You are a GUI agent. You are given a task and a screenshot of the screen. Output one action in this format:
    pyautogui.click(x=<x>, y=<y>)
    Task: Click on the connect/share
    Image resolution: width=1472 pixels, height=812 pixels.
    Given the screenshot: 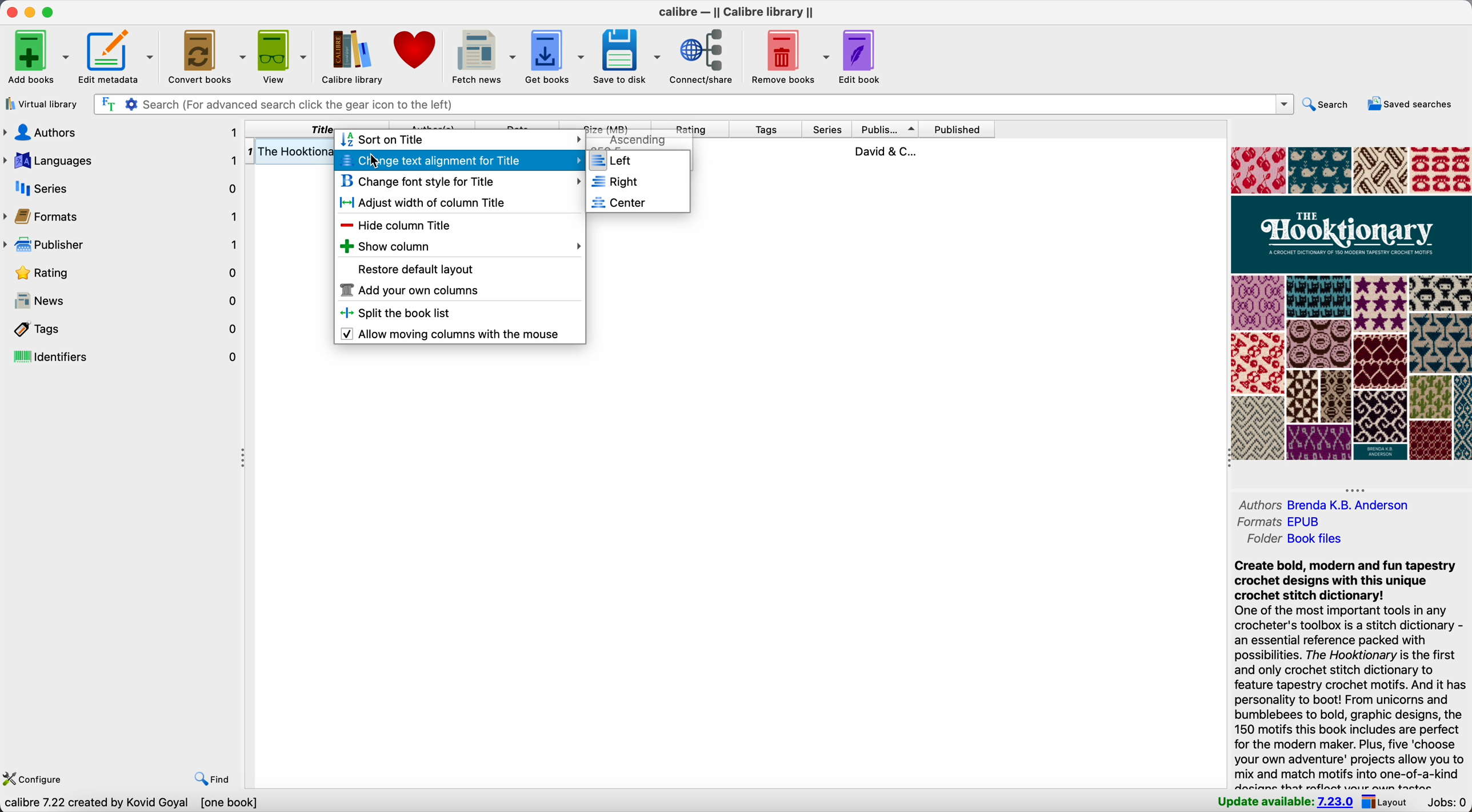 What is the action you would take?
    pyautogui.click(x=704, y=58)
    